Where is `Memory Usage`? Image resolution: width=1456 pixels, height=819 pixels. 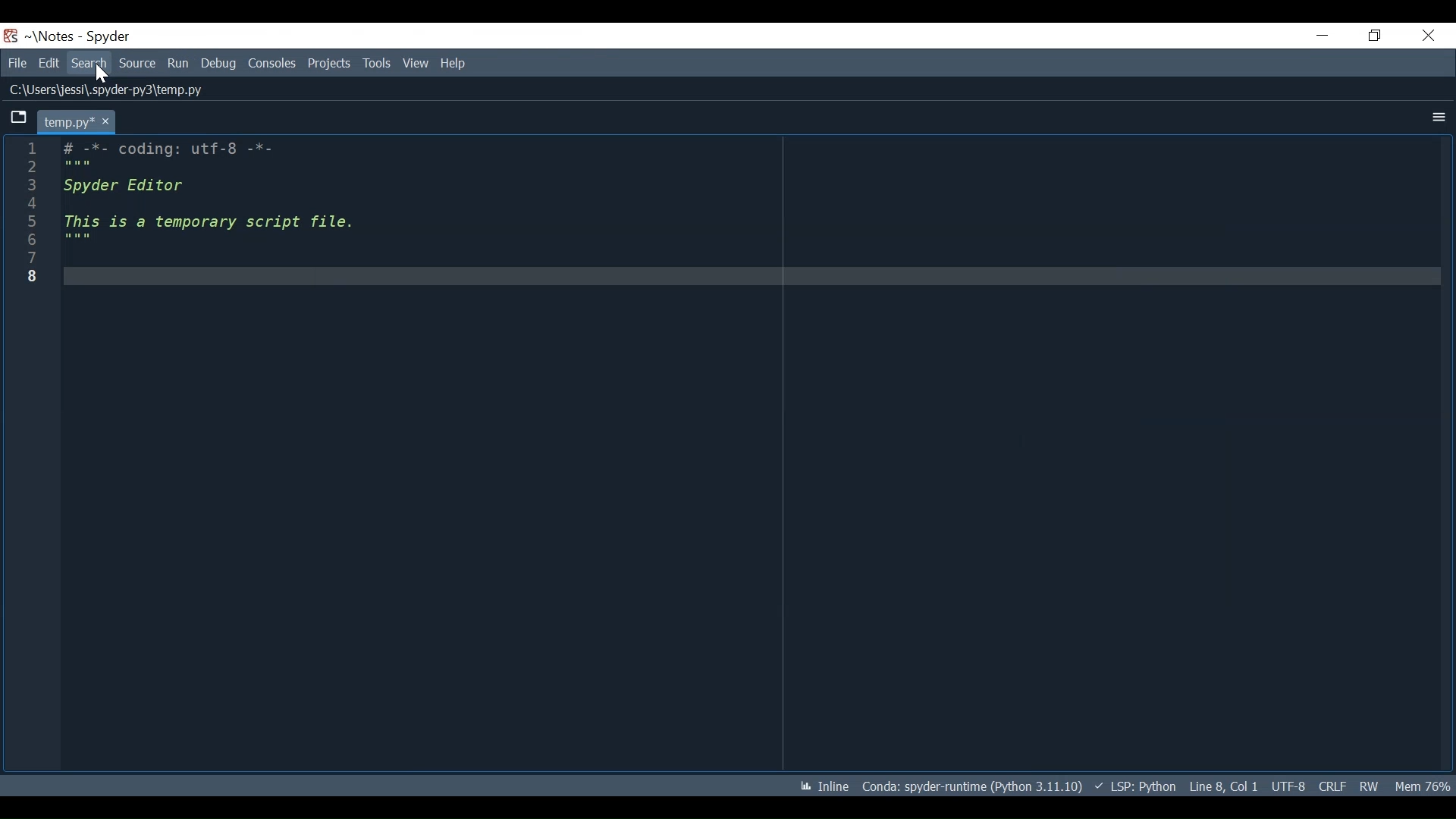
Memory Usage is located at coordinates (1425, 784).